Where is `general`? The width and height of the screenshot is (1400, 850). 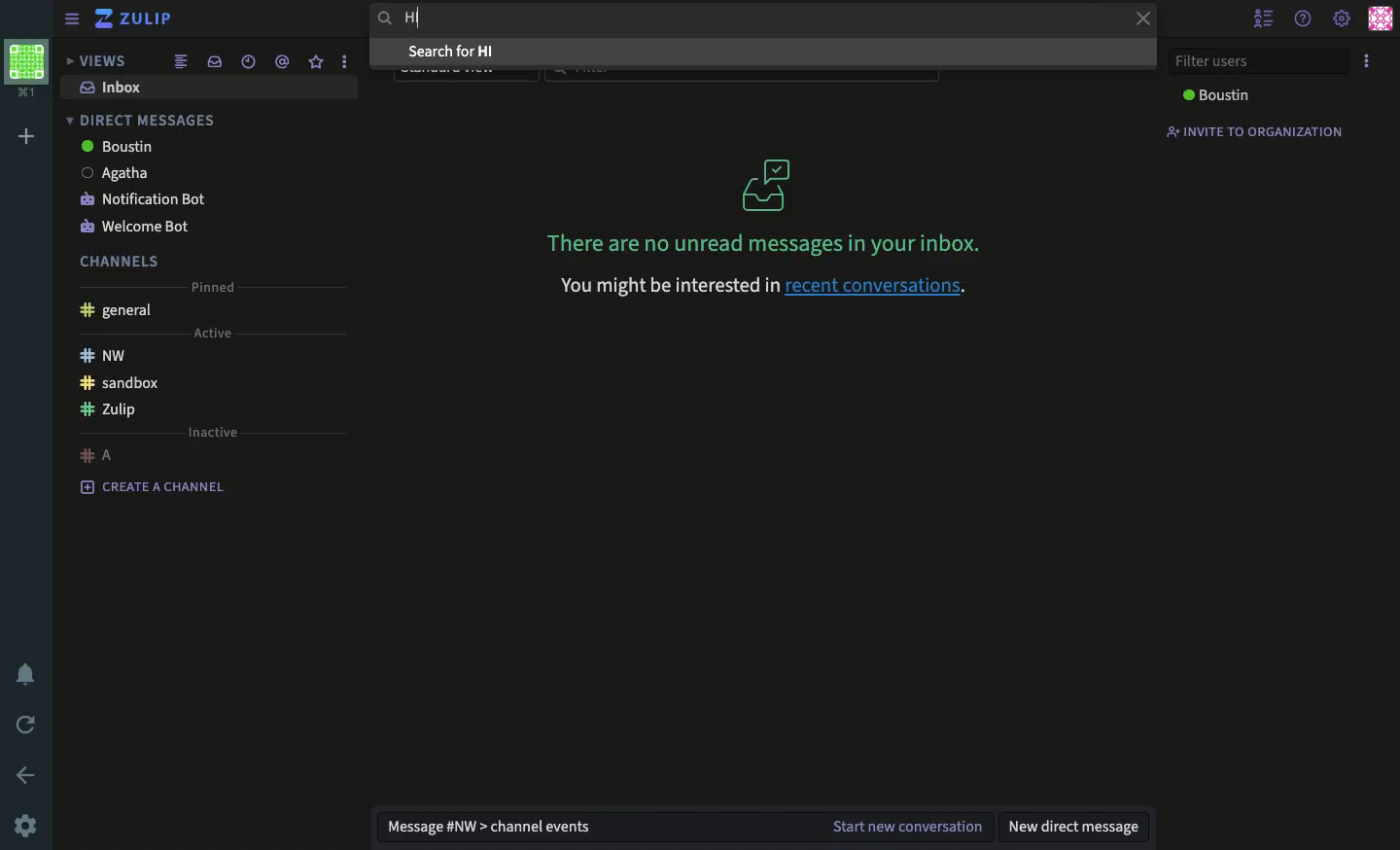
general is located at coordinates (119, 310).